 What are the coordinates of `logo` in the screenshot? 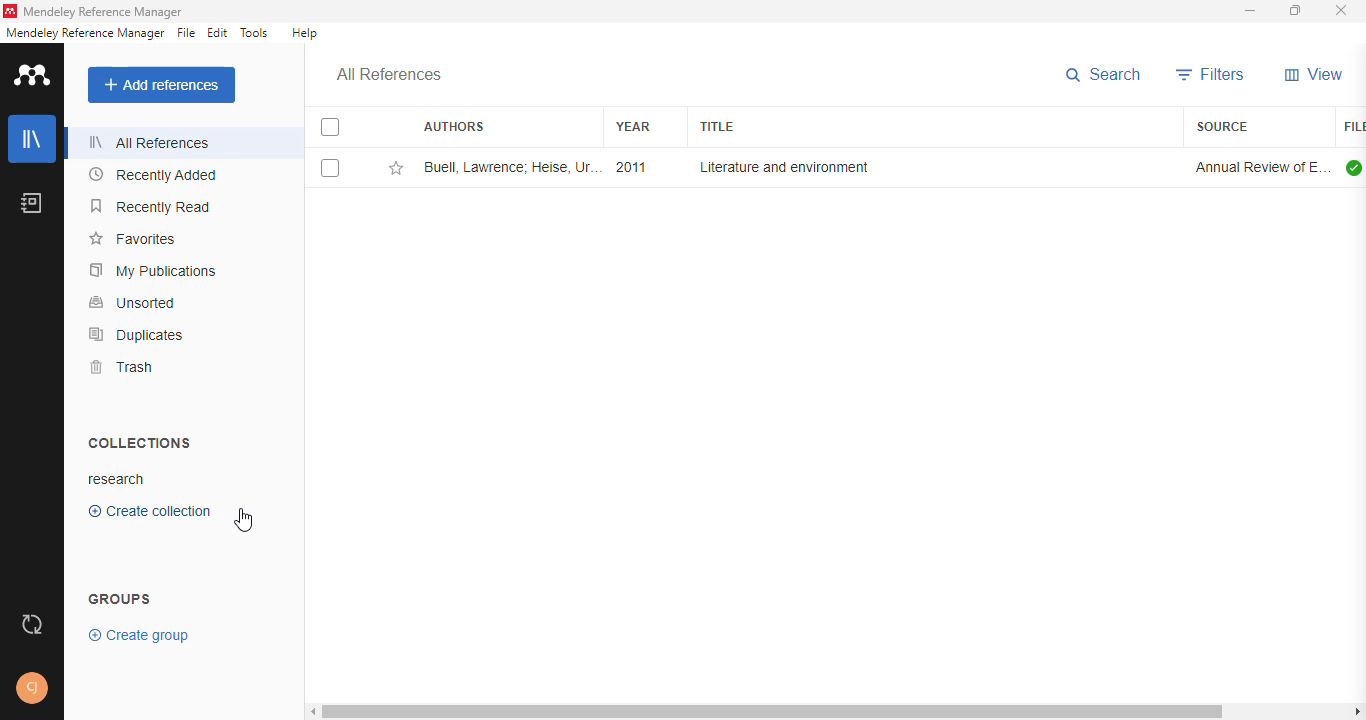 It's located at (33, 75).